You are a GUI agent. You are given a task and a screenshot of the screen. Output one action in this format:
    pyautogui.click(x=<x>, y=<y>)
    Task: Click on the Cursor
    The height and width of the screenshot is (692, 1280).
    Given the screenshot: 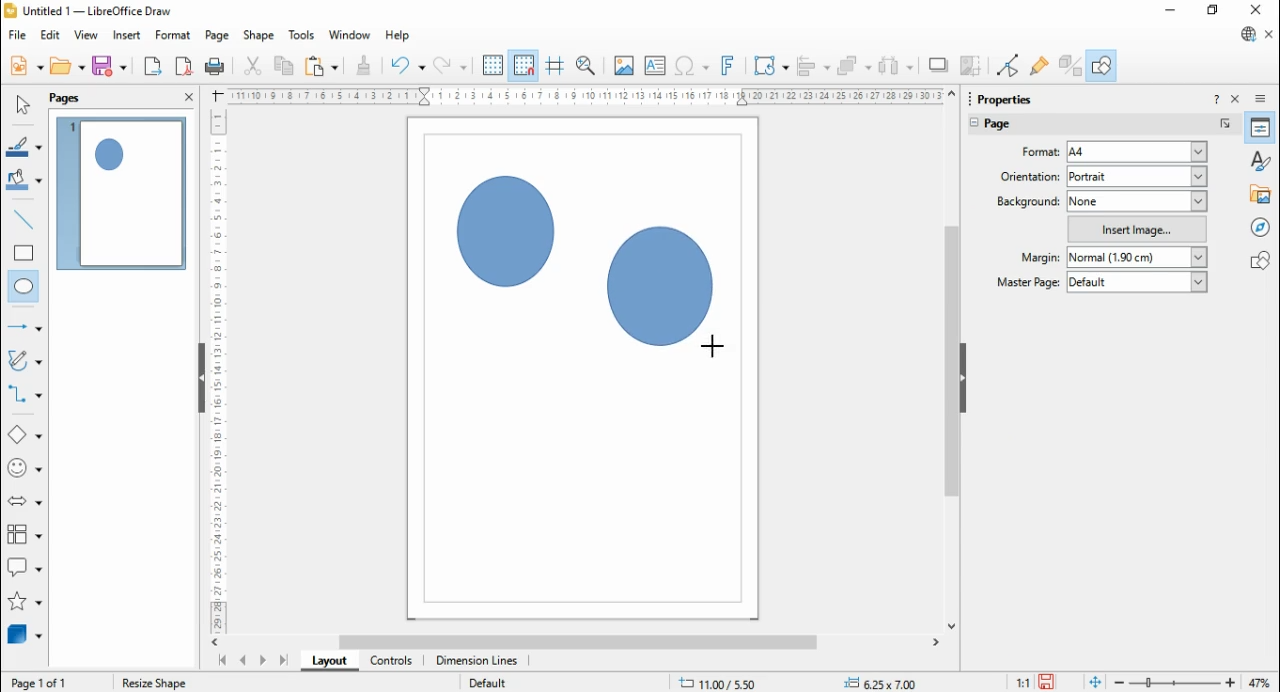 What is the action you would take?
    pyautogui.click(x=709, y=347)
    